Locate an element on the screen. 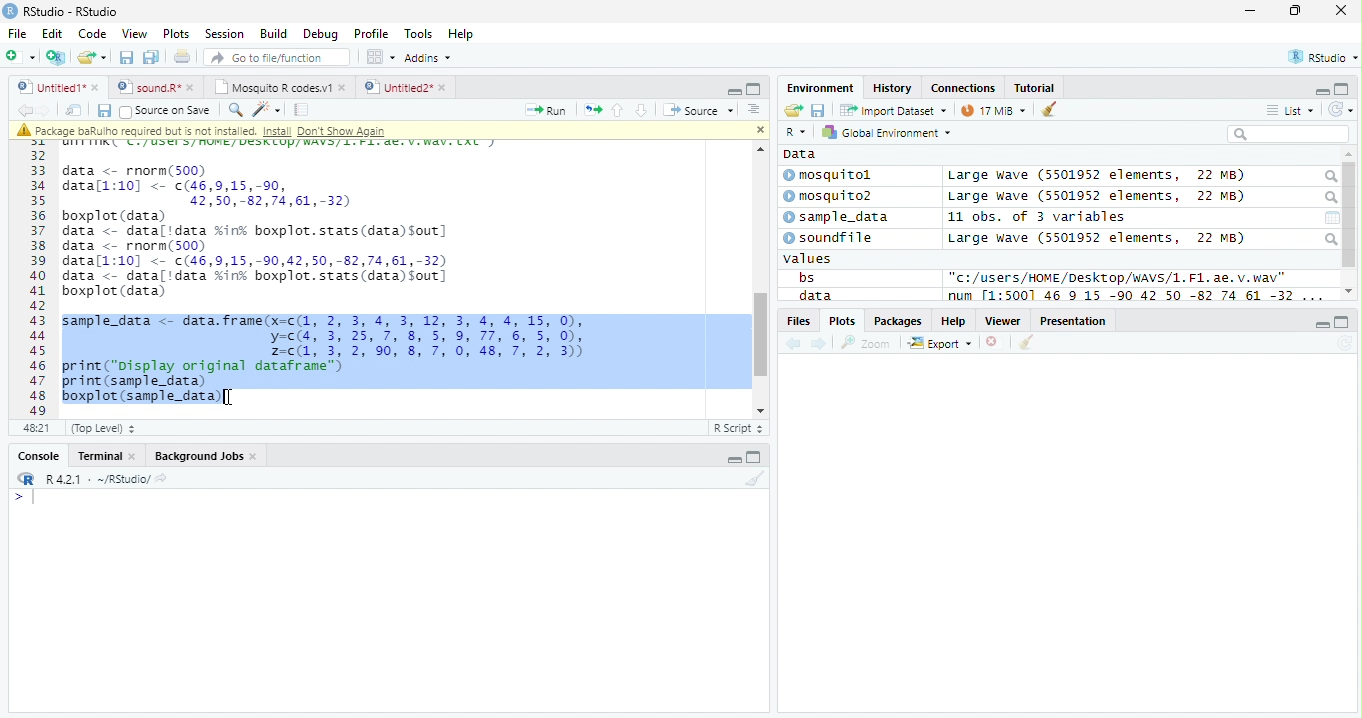 Image resolution: width=1362 pixels, height=718 pixels. Run the current line or selection is located at coordinates (546, 111).